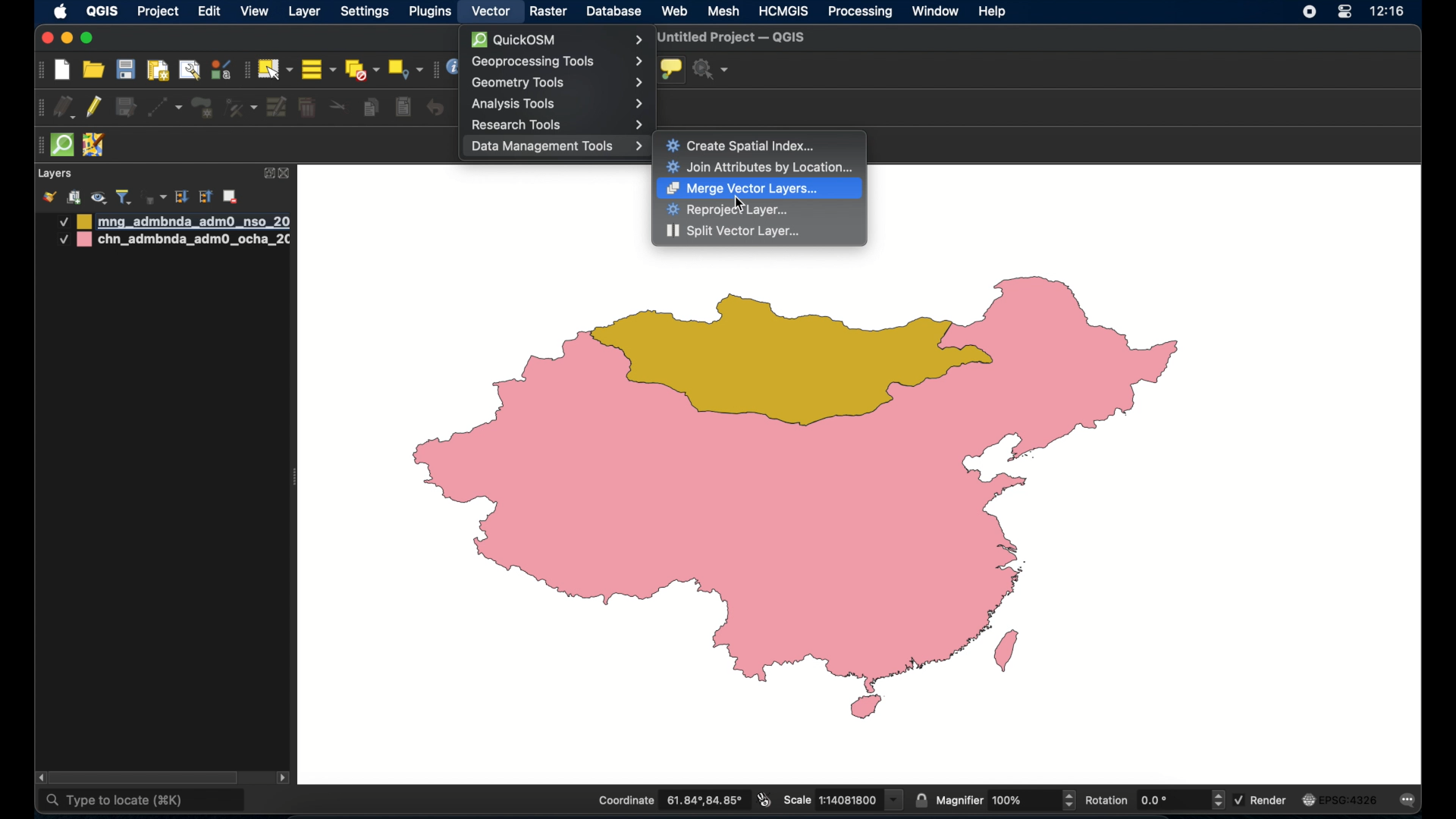 The image size is (1456, 819). I want to click on mesh, so click(724, 11).